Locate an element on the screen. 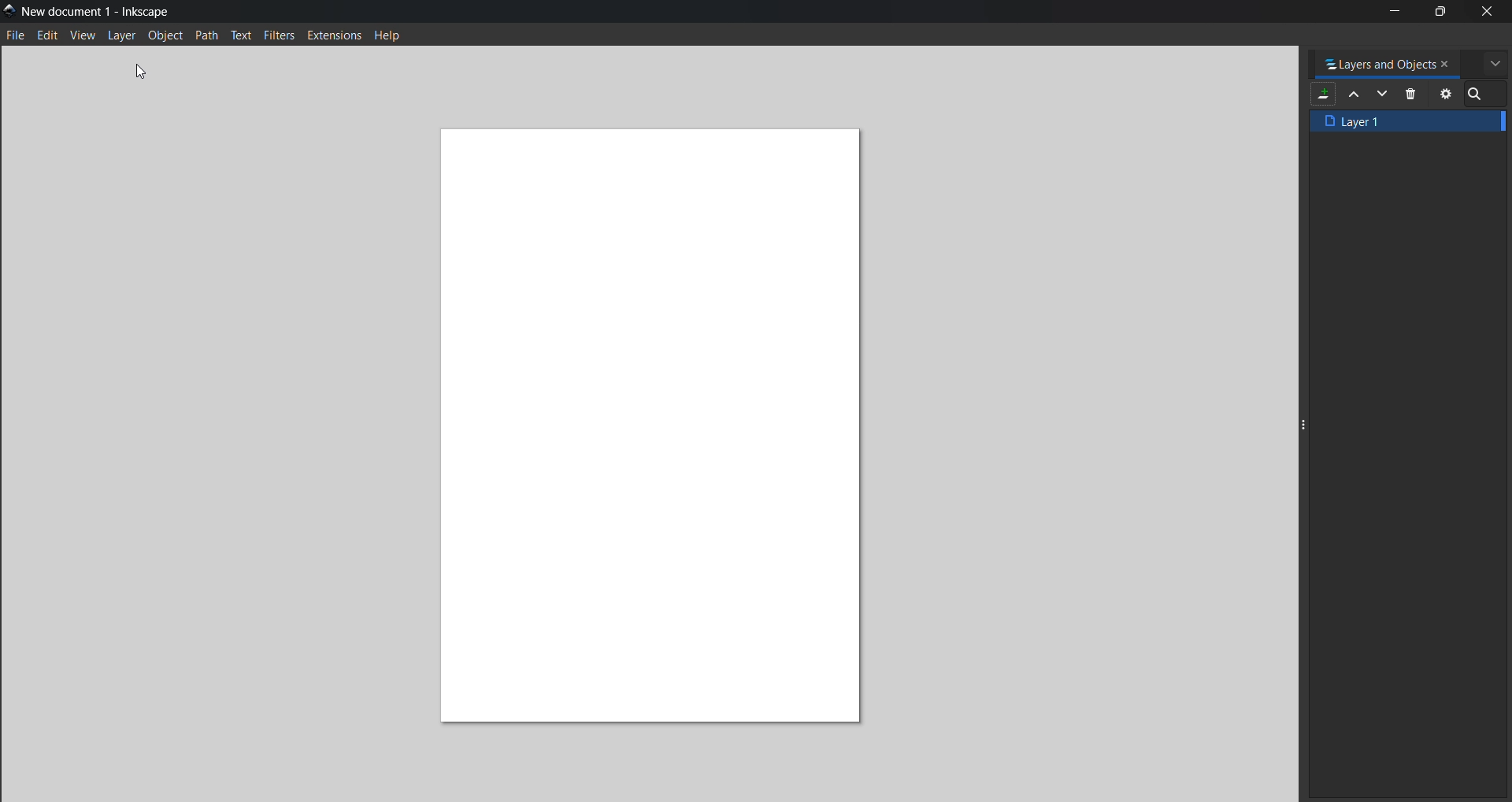  more is located at coordinates (1493, 62).